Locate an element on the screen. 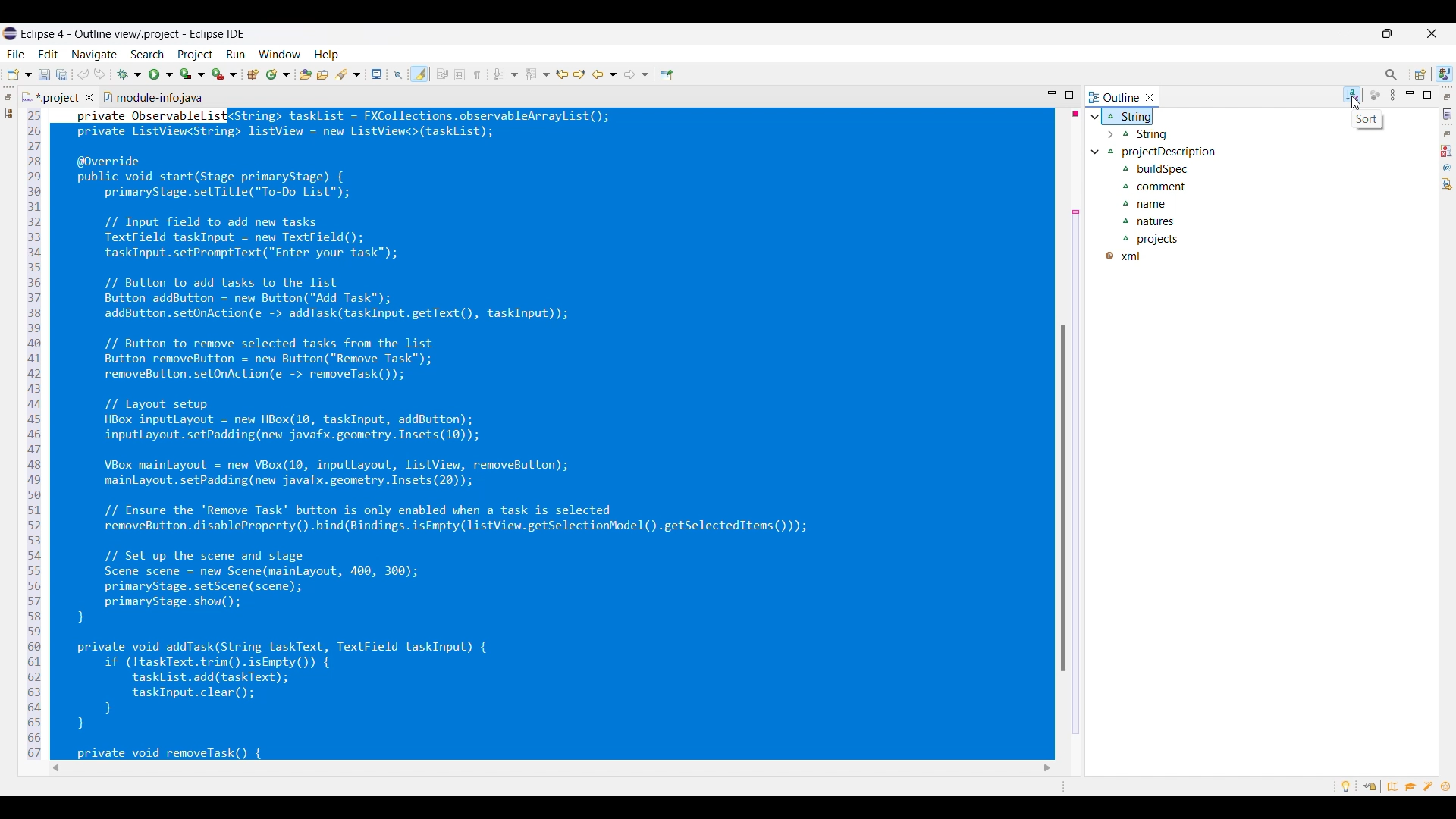 The width and height of the screenshot is (1456, 819). Restore welcome is located at coordinates (1370, 786).